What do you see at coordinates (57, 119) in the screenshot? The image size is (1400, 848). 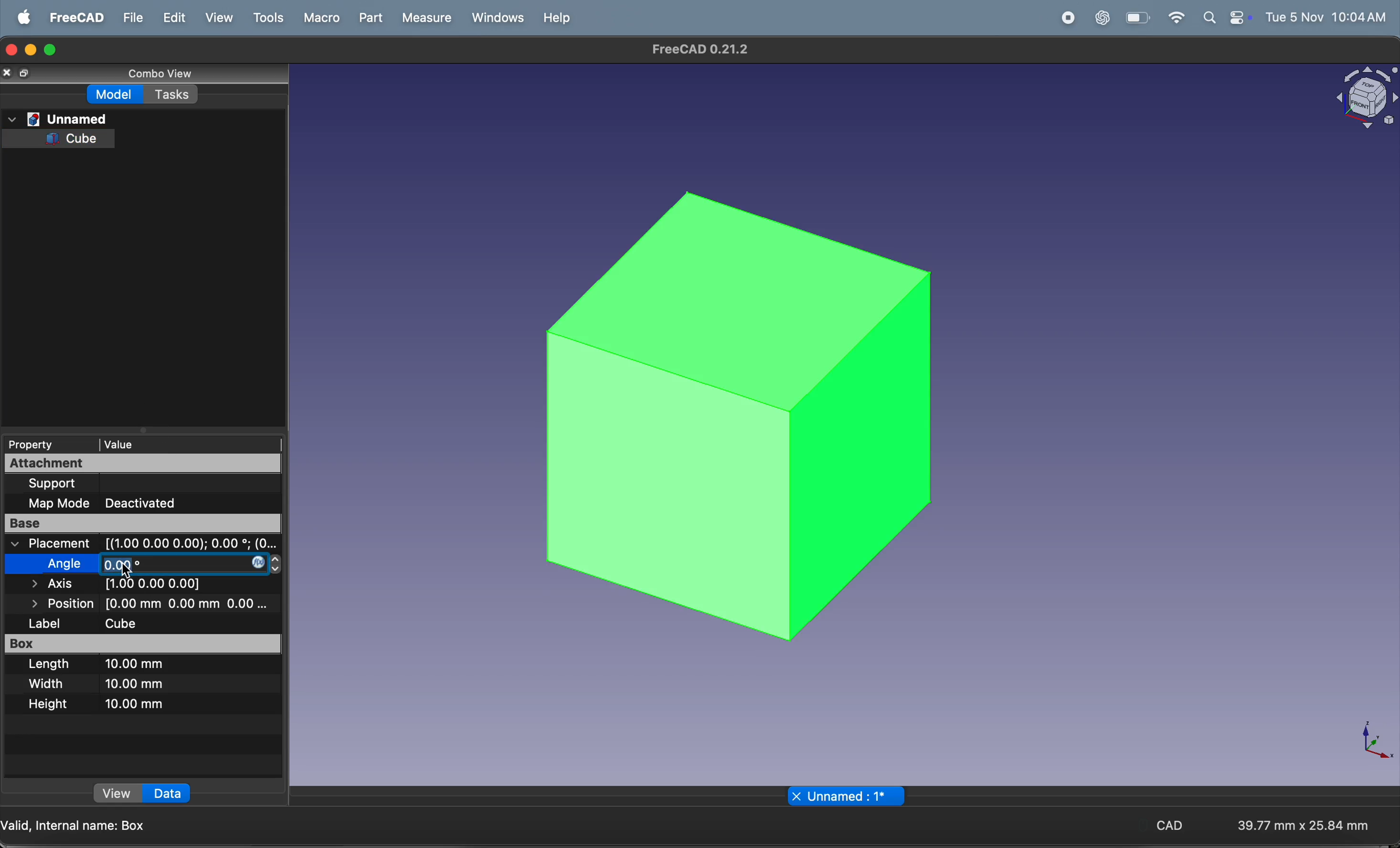 I see `Unnamed` at bounding box center [57, 119].